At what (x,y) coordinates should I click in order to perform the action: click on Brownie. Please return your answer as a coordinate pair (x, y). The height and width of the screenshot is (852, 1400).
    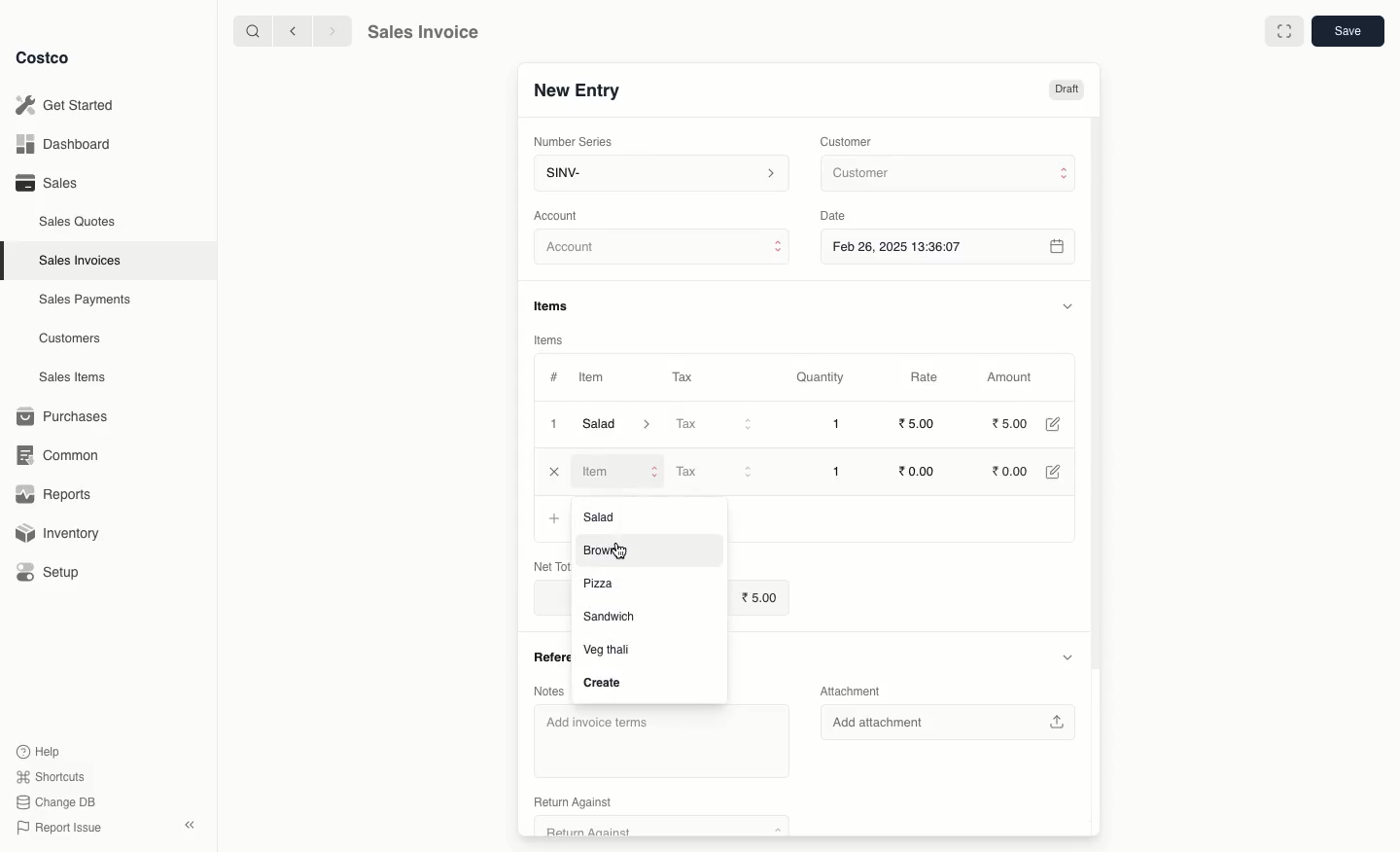
    Looking at the image, I should click on (617, 552).